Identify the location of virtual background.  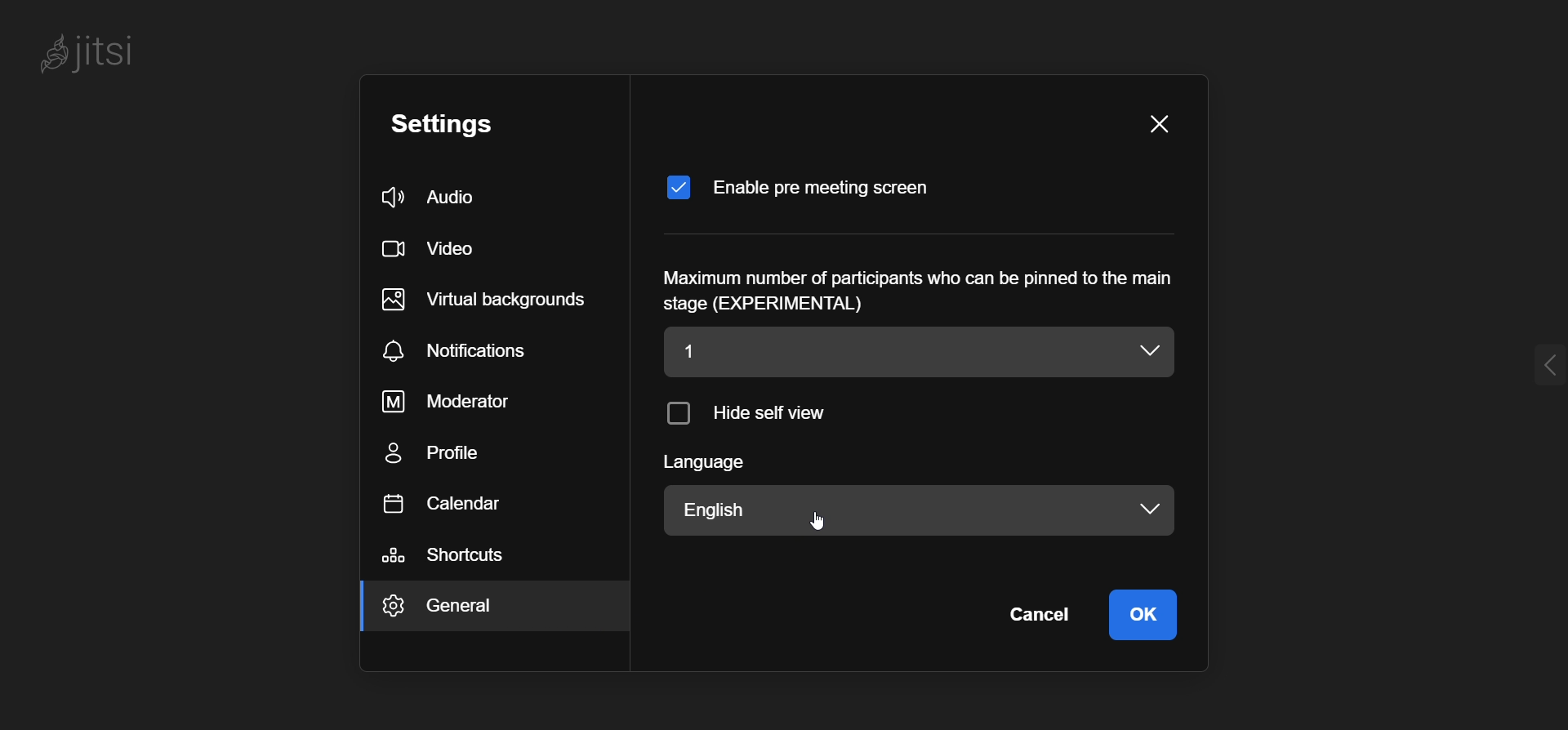
(492, 300).